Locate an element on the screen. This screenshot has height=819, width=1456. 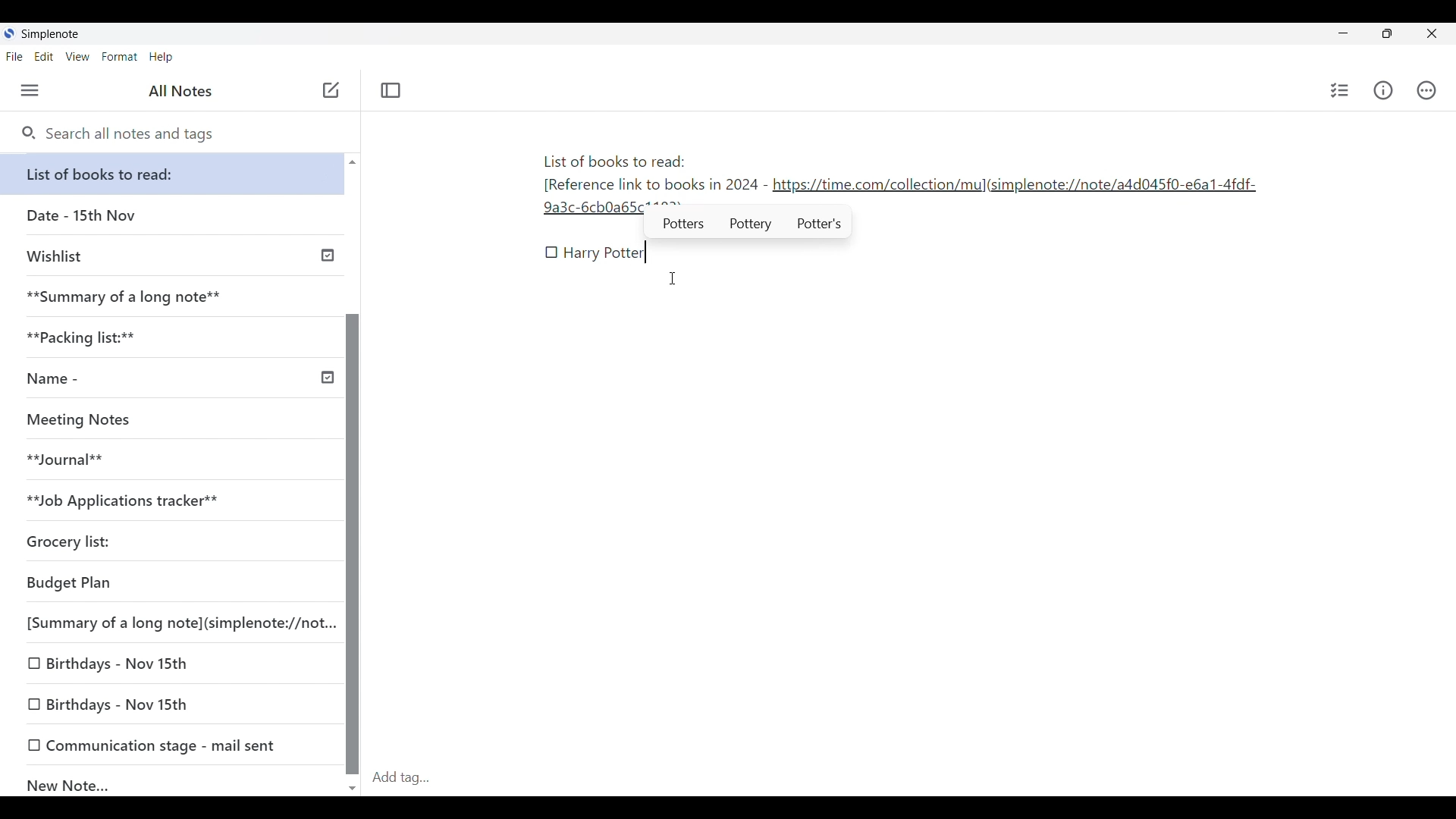
Close is located at coordinates (1432, 34).